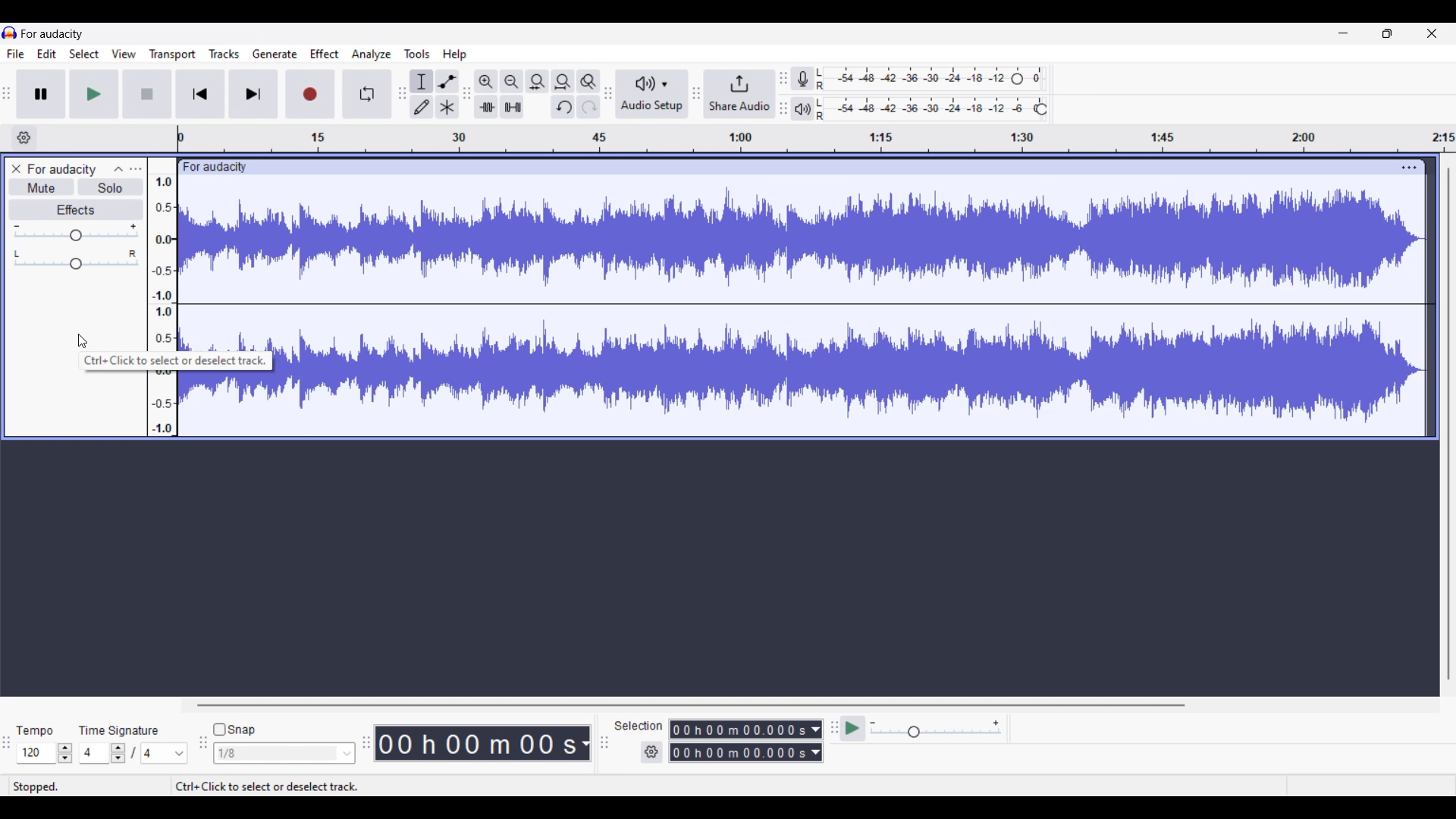 This screenshot has width=1456, height=819. I want to click on Zoom toggle, so click(588, 82).